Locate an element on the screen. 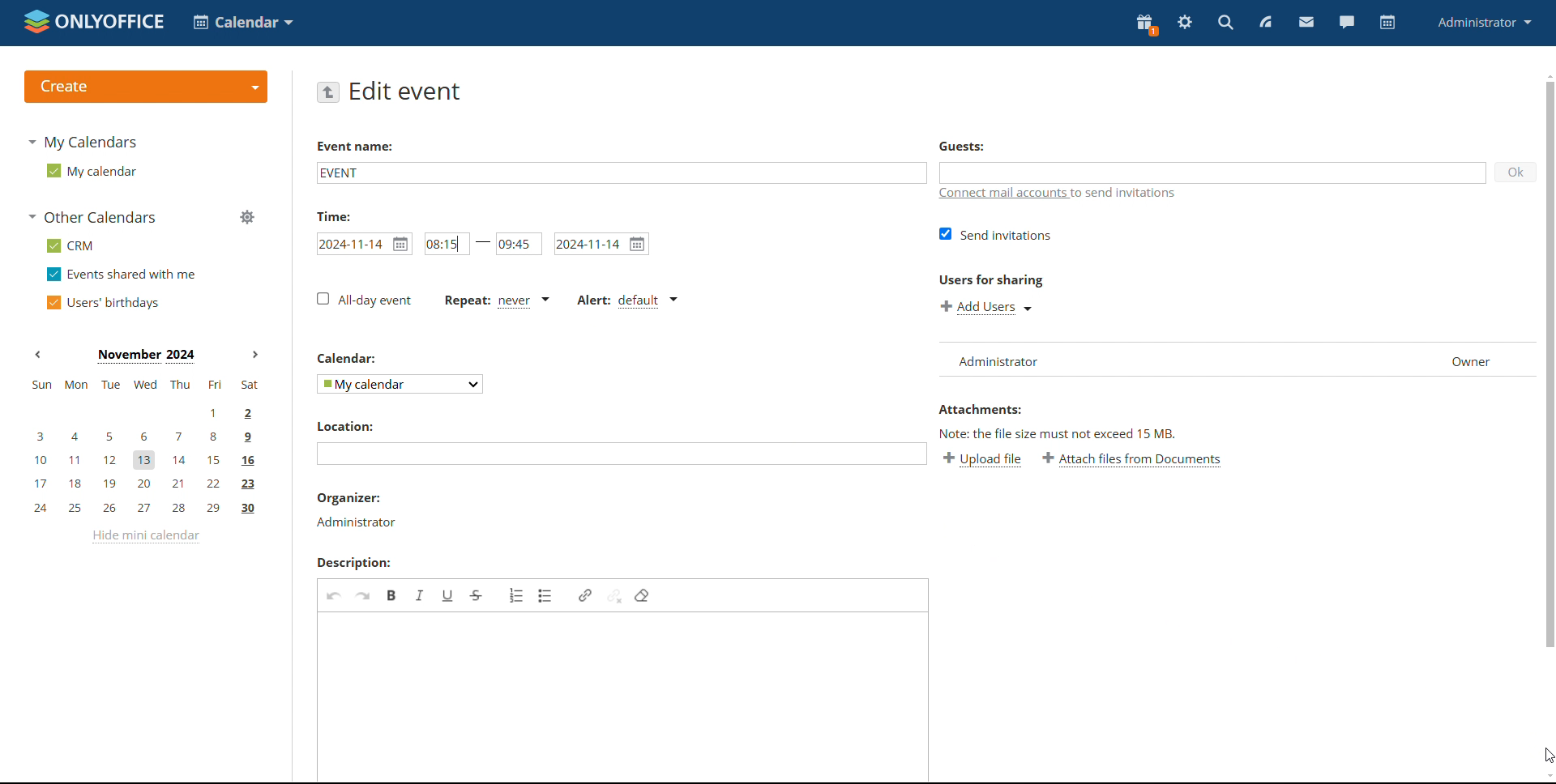 The height and width of the screenshot is (784, 1556). chat is located at coordinates (1346, 23).